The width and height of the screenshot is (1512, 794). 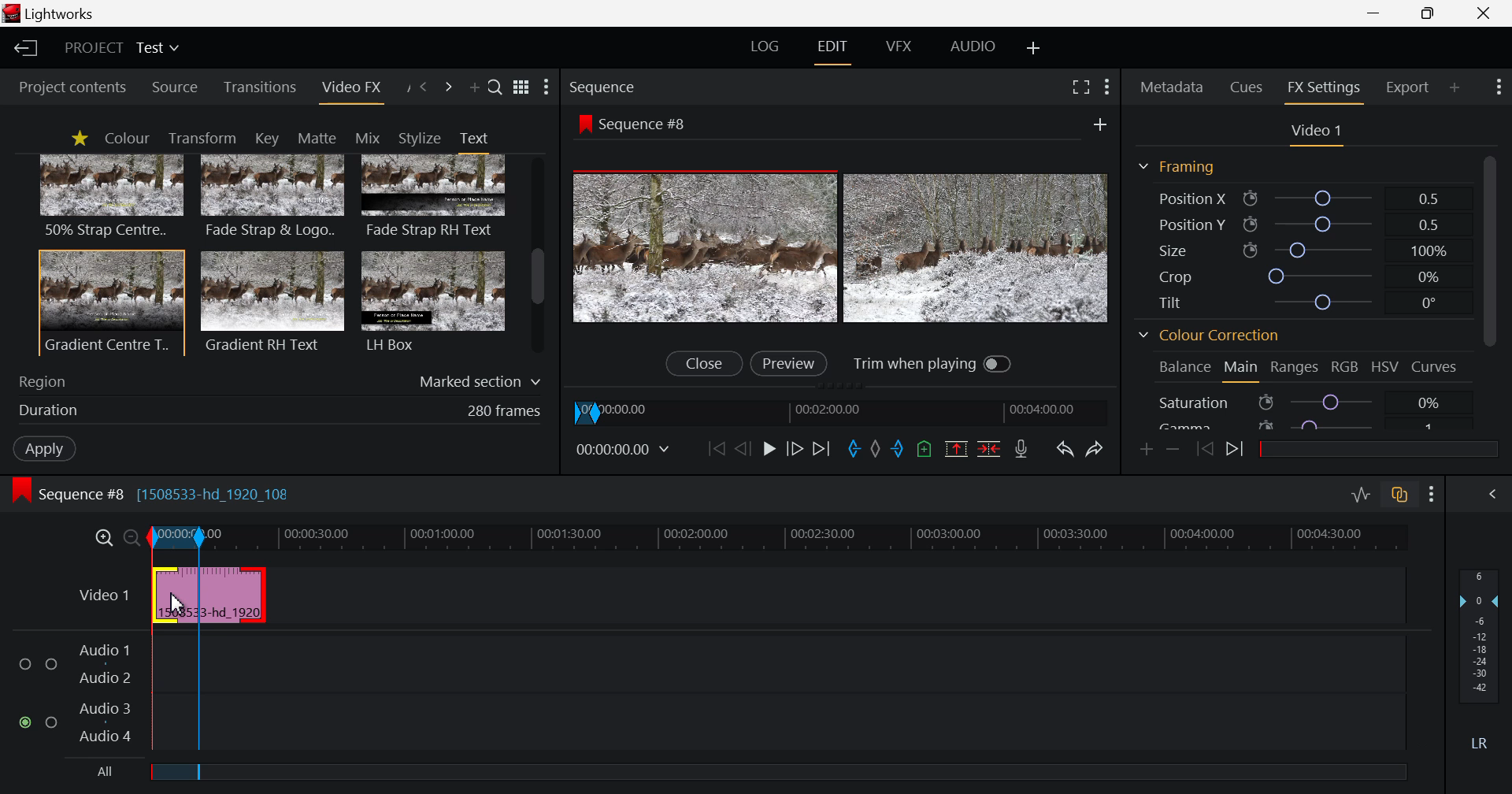 I want to click on Ranges, so click(x=1293, y=371).